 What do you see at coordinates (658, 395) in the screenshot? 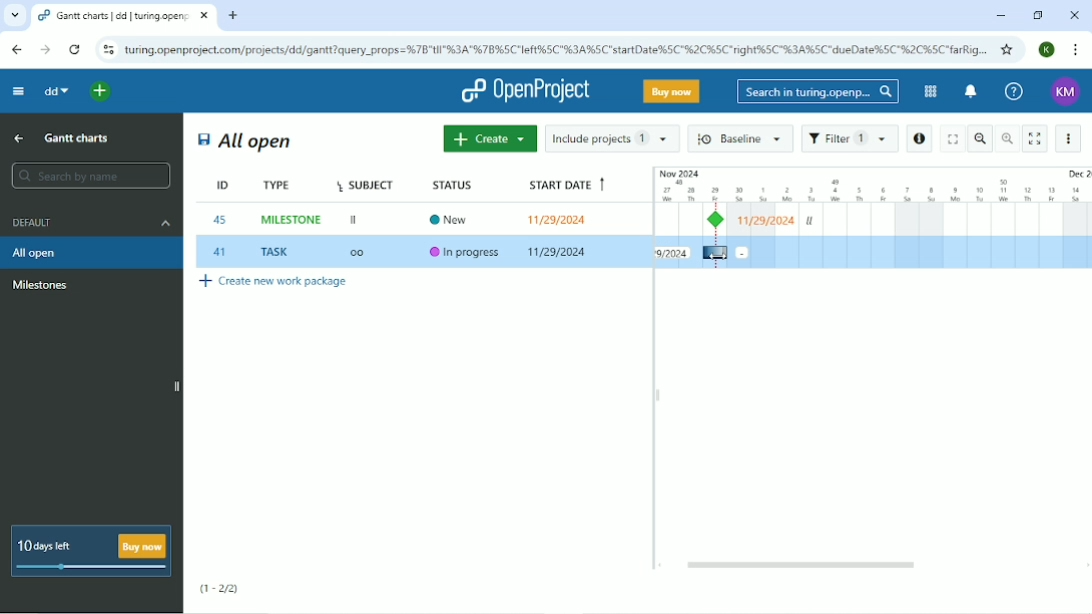
I see `Resize` at bounding box center [658, 395].